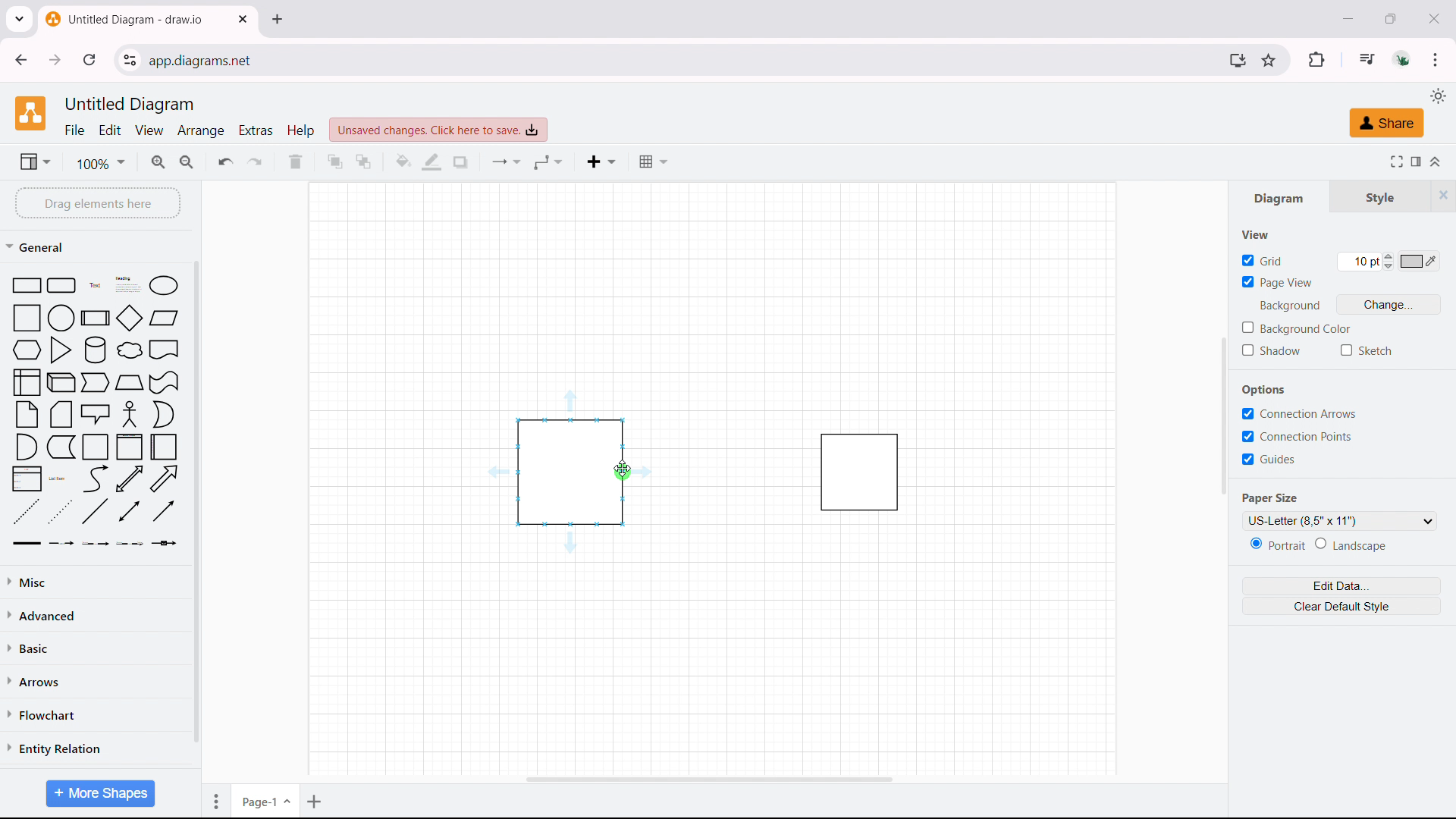  I want to click on line color, so click(432, 162).